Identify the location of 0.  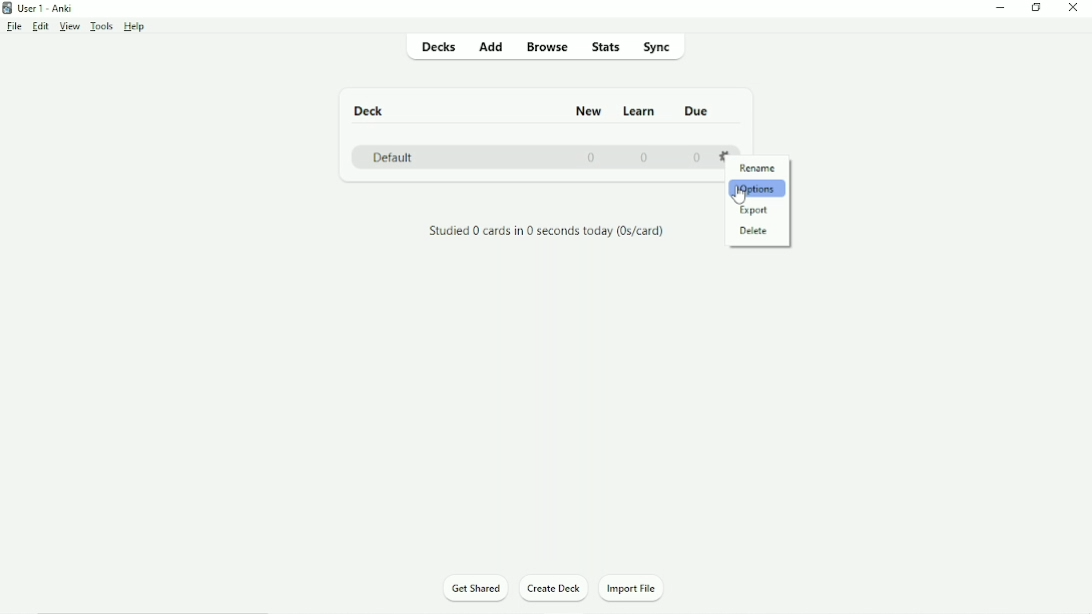
(697, 158).